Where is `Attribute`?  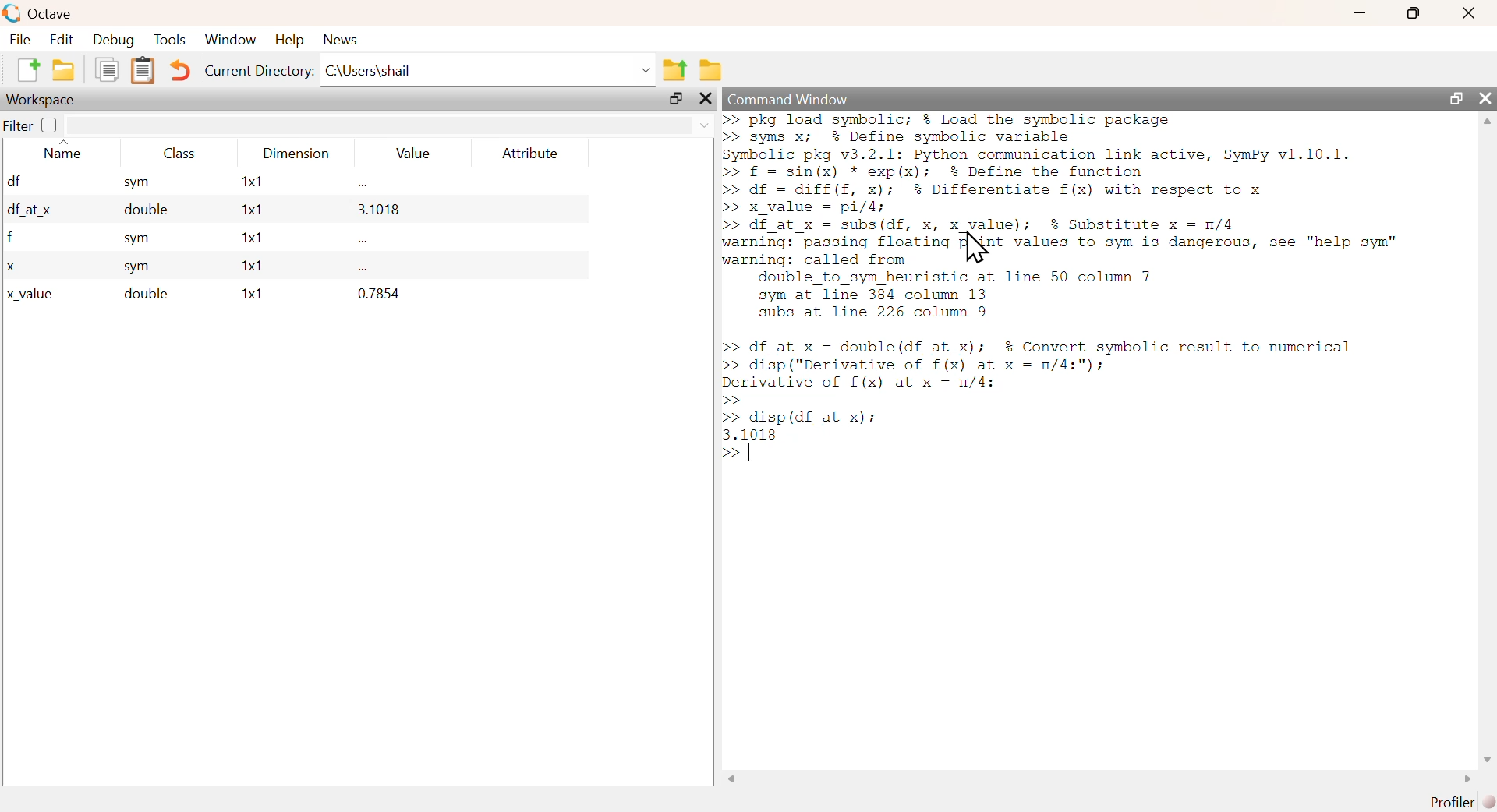 Attribute is located at coordinates (531, 153).